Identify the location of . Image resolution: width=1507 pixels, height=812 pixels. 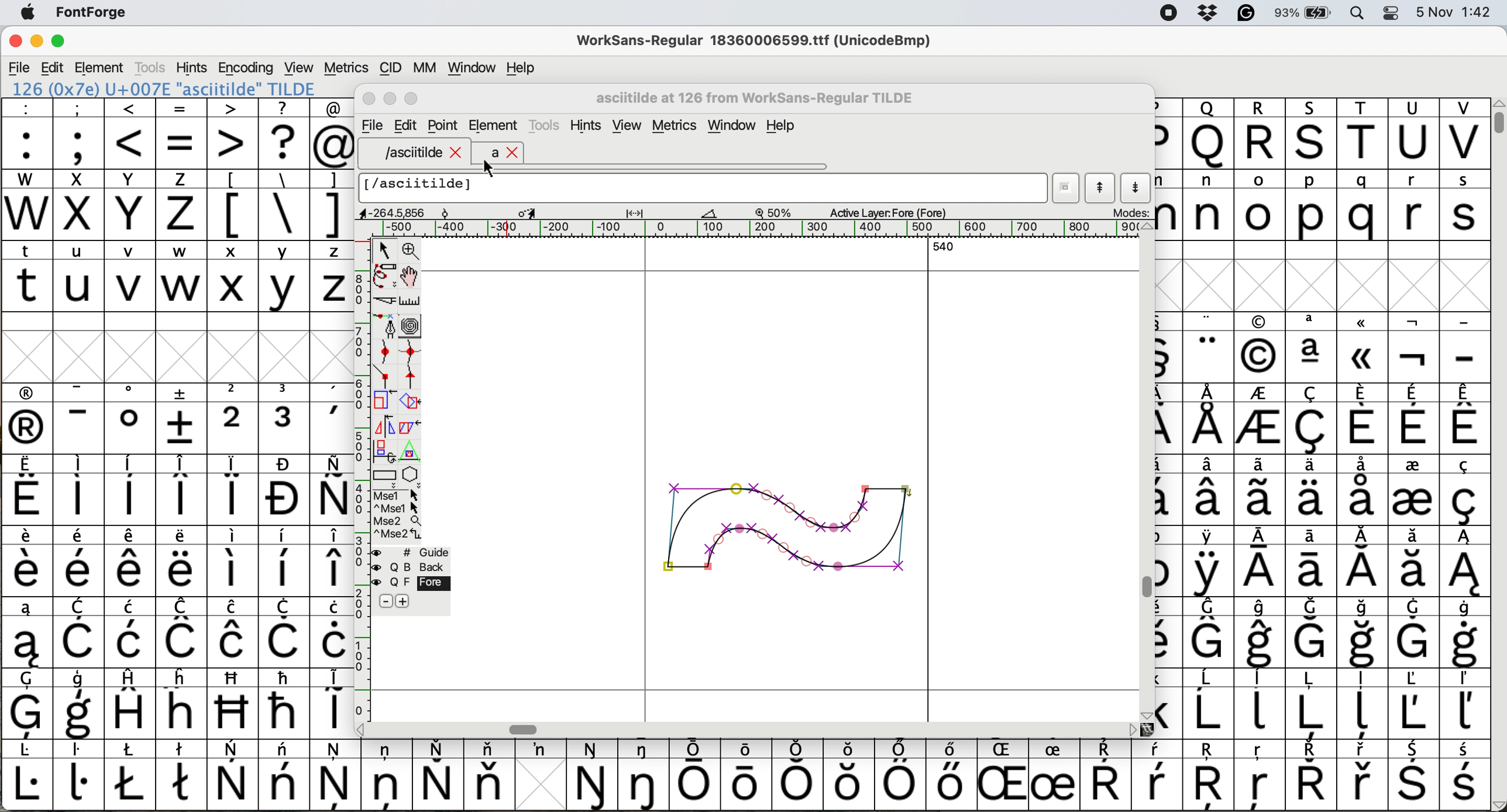
(1006, 775).